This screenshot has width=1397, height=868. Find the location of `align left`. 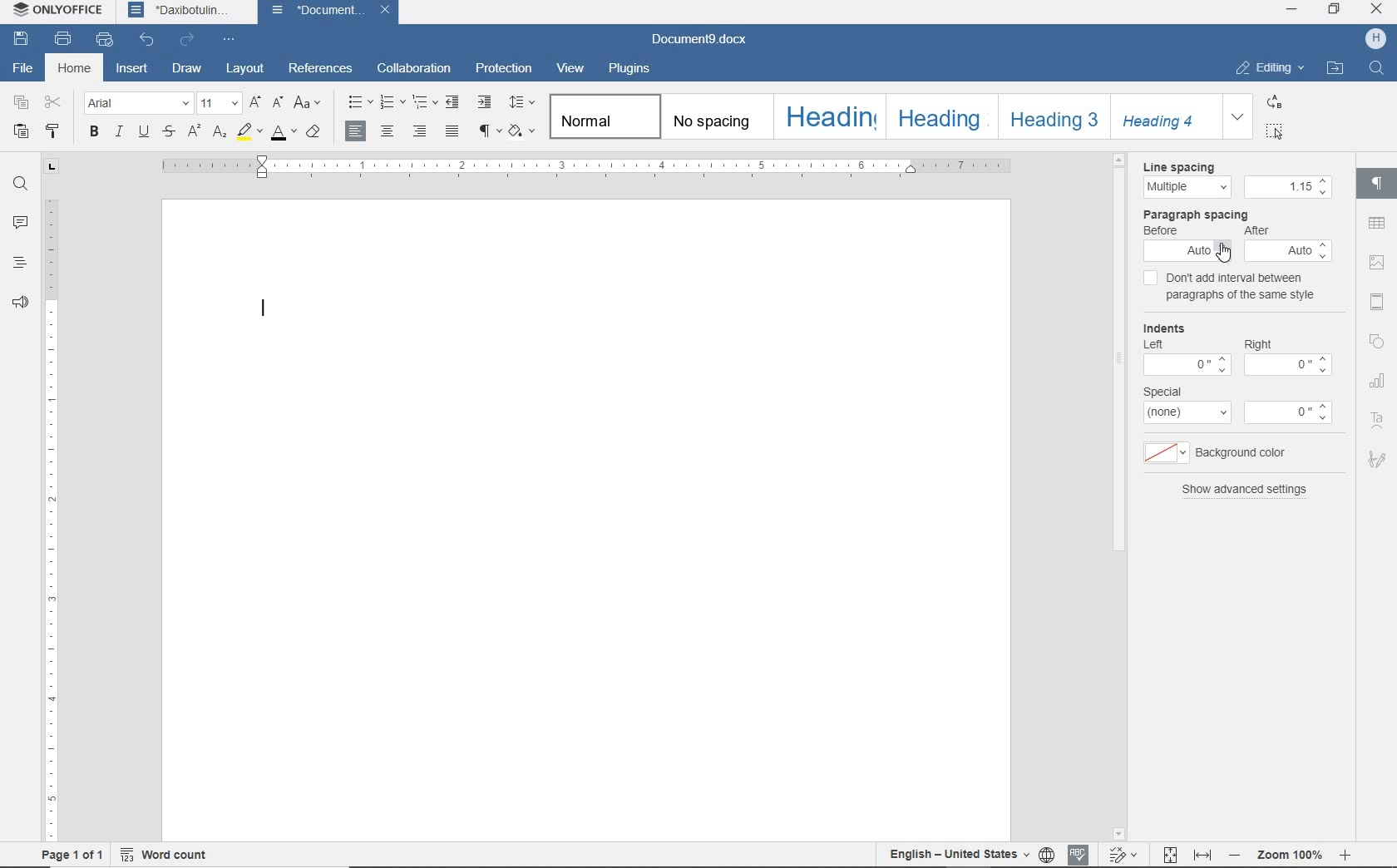

align left is located at coordinates (357, 132).